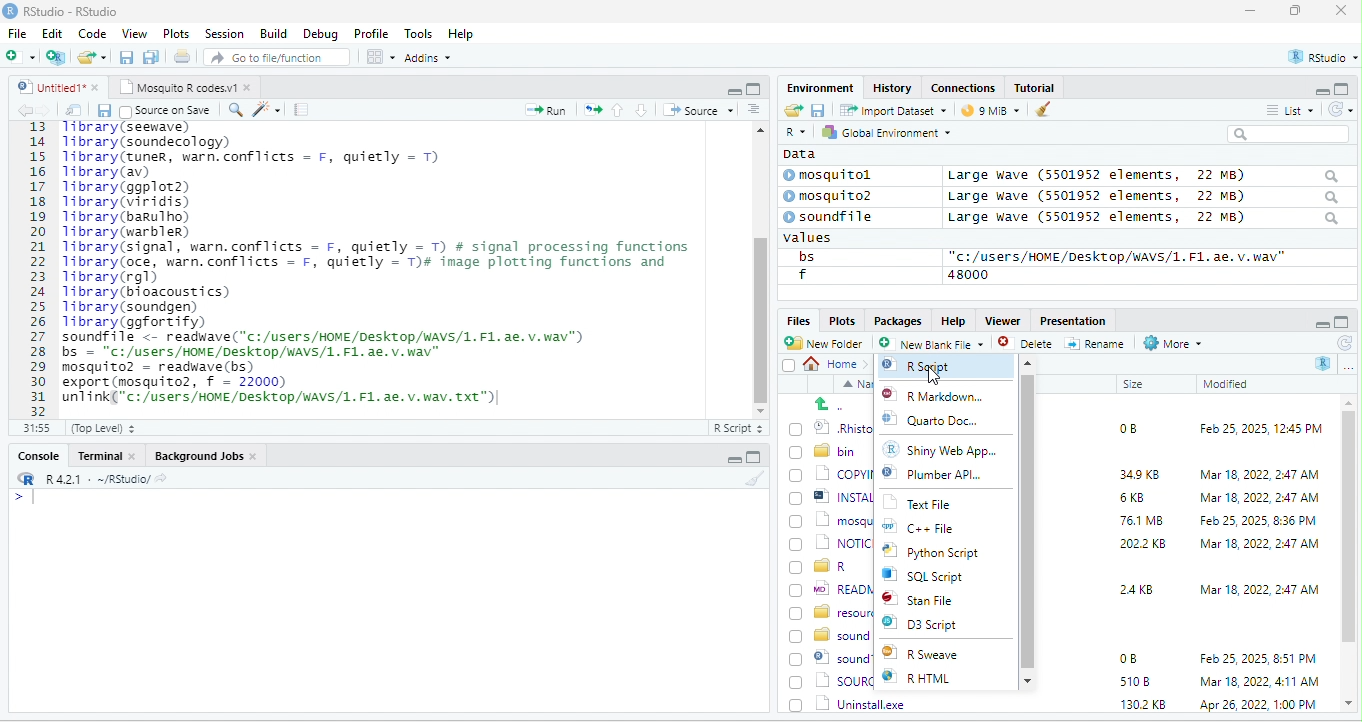 This screenshot has width=1362, height=722. Describe the element at coordinates (757, 479) in the screenshot. I see `brush` at that location.